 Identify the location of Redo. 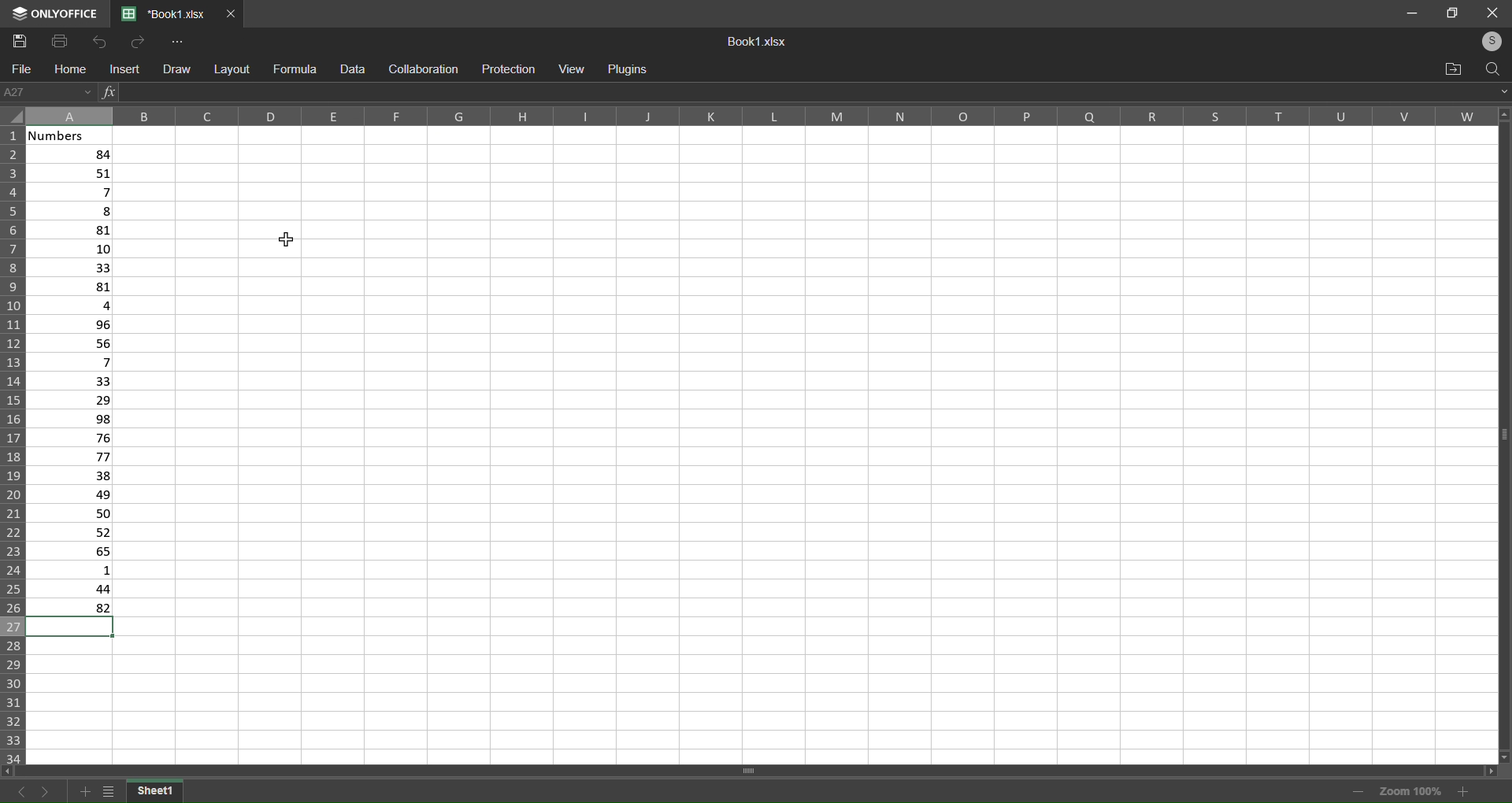
(139, 42).